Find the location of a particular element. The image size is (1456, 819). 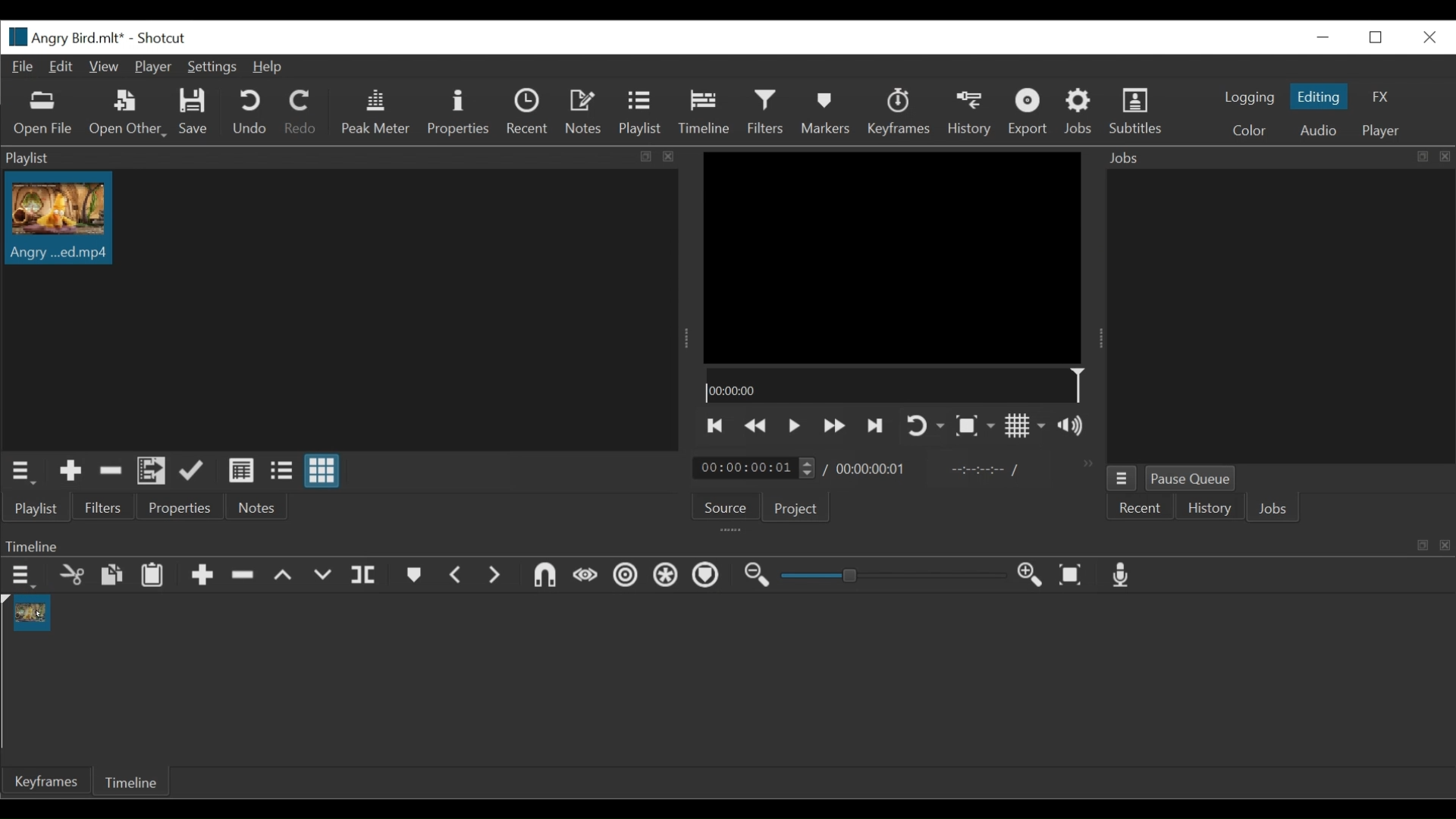

Pause Queue is located at coordinates (1193, 479).